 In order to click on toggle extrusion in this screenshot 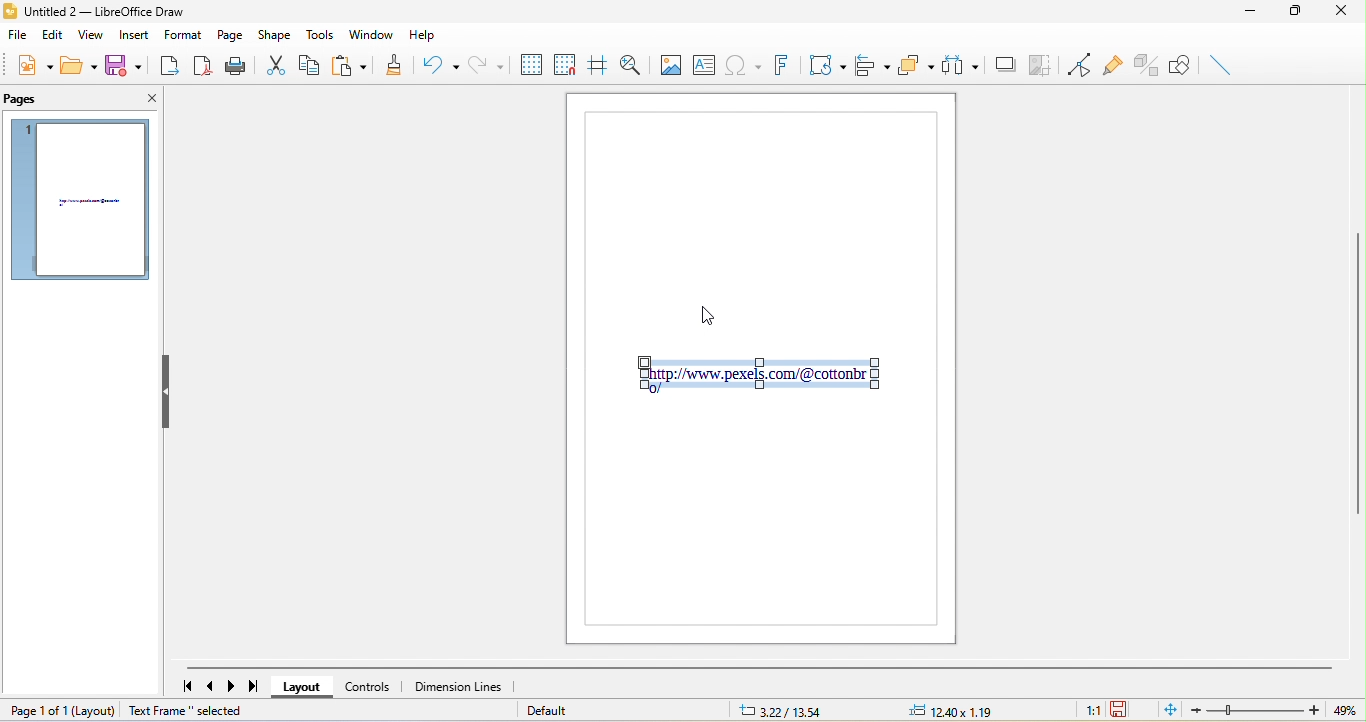, I will do `click(1143, 65)`.